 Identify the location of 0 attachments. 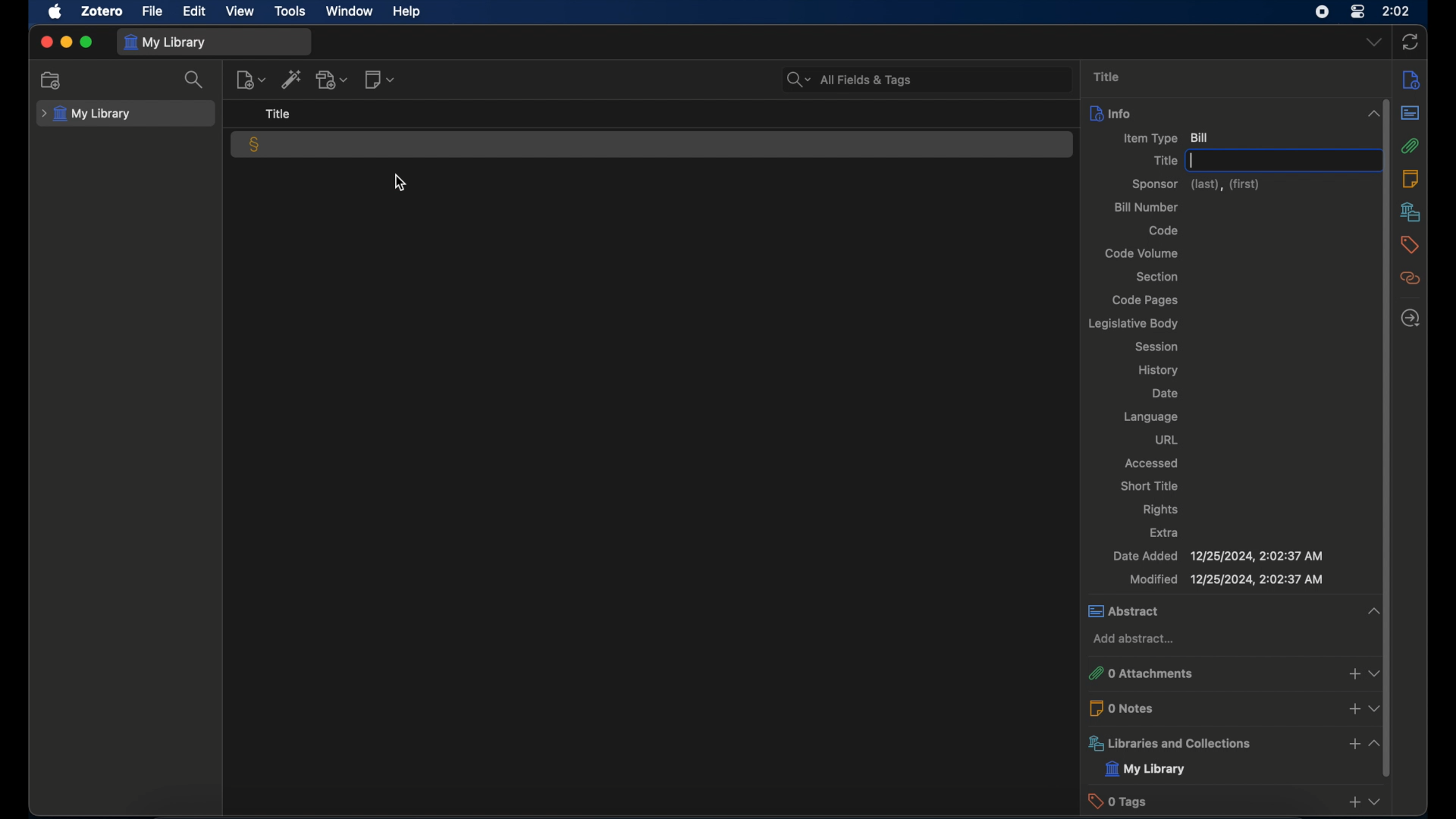
(1233, 673).